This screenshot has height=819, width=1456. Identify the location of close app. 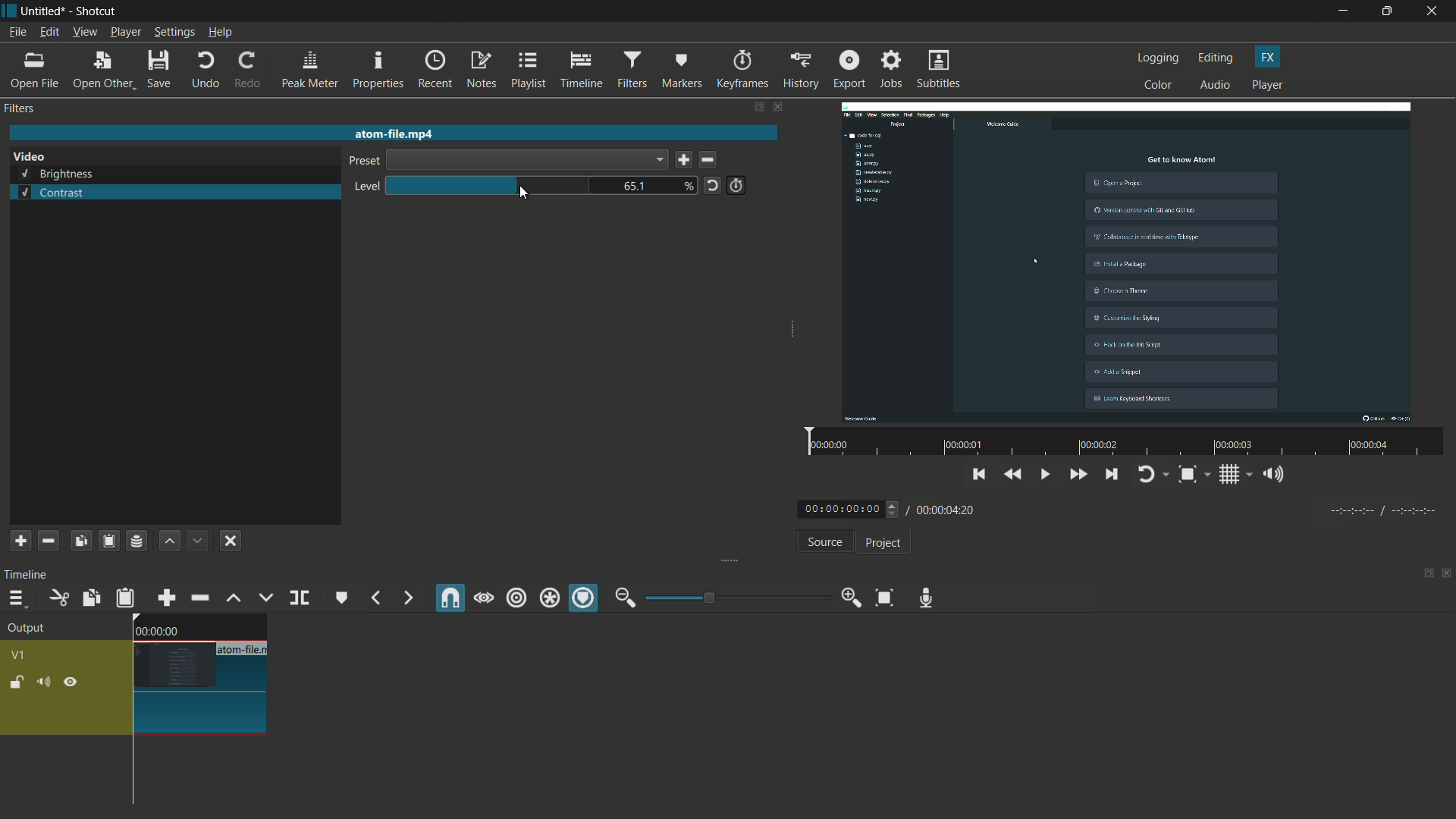
(1434, 11).